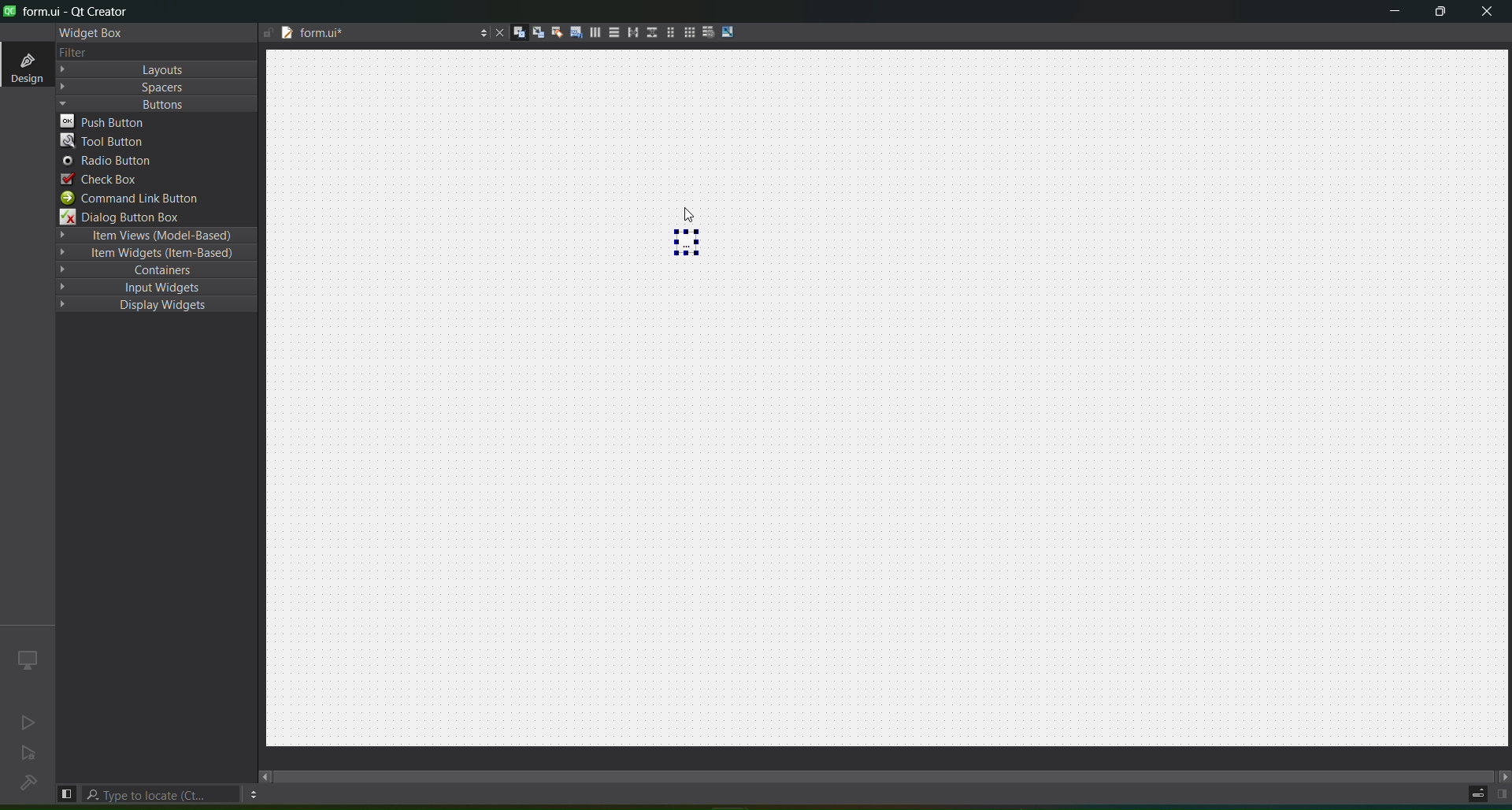  Describe the element at coordinates (515, 32) in the screenshot. I see `edit widgets` at that location.